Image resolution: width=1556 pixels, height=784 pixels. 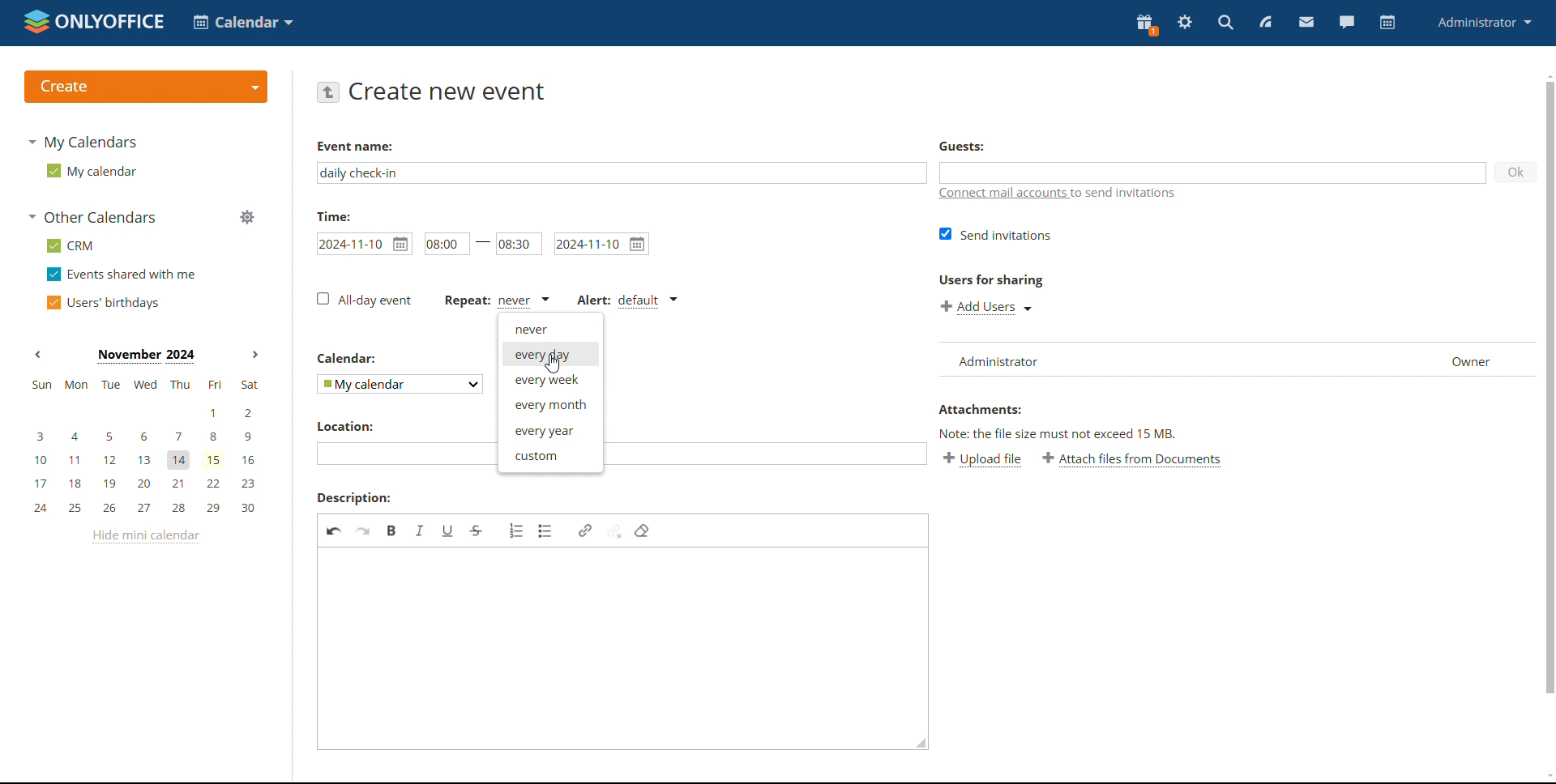 What do you see at coordinates (364, 242) in the screenshot?
I see `start date` at bounding box center [364, 242].